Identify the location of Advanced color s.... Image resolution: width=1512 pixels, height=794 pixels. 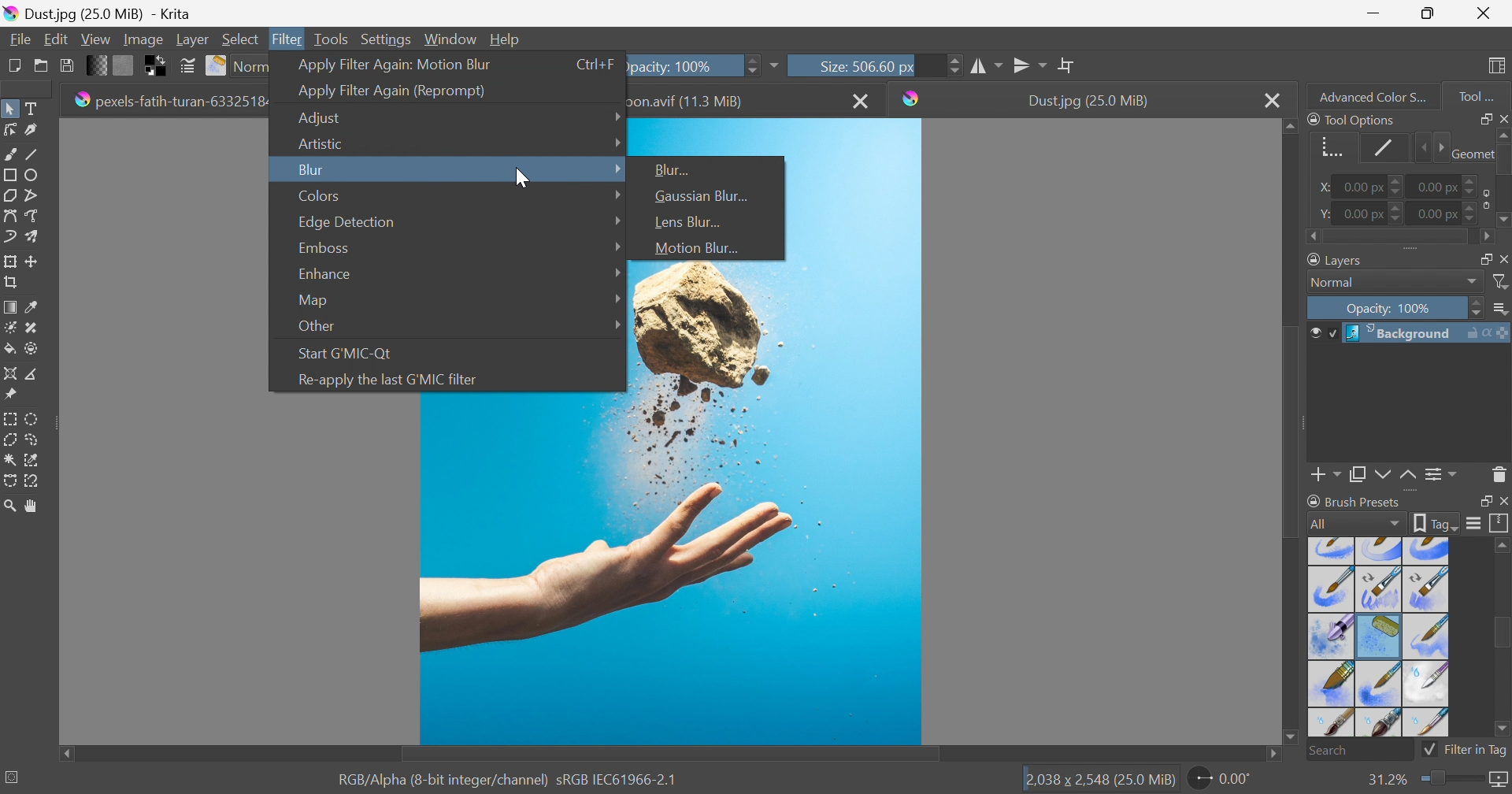
(1368, 95).